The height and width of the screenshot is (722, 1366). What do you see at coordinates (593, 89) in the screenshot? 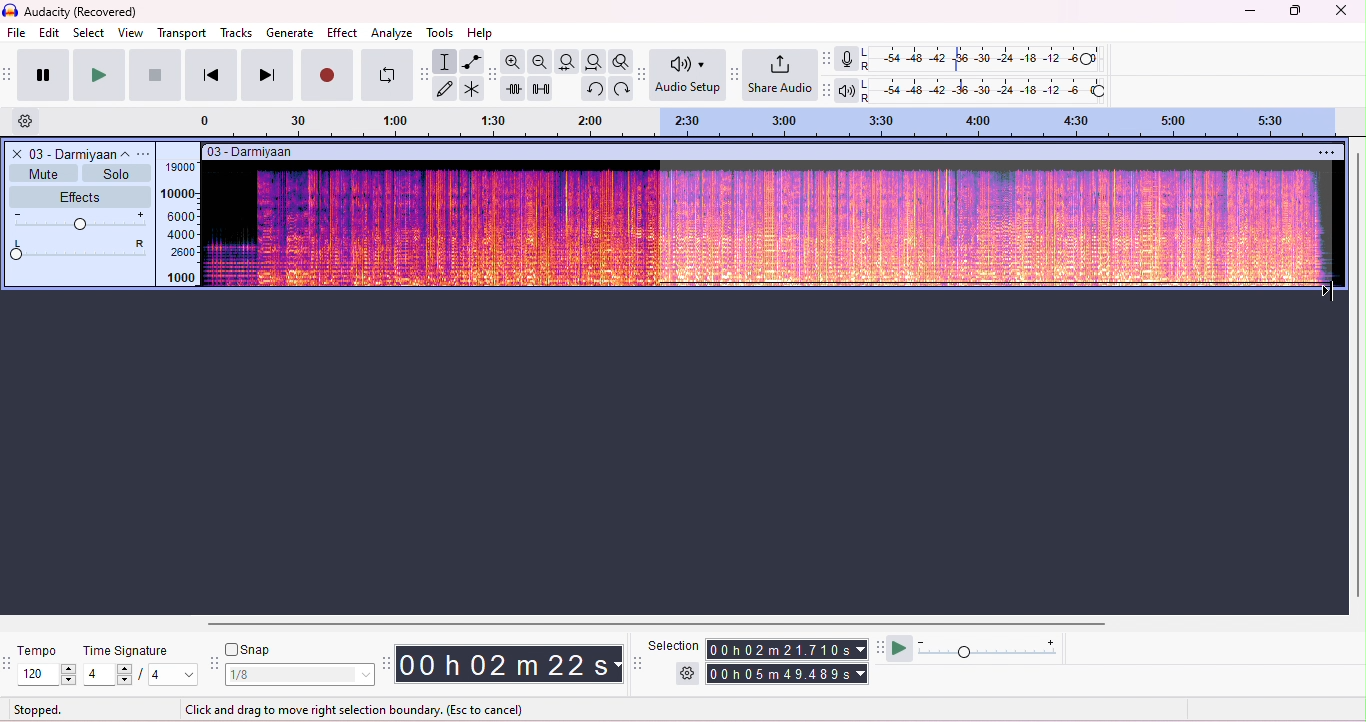
I see `undo` at bounding box center [593, 89].